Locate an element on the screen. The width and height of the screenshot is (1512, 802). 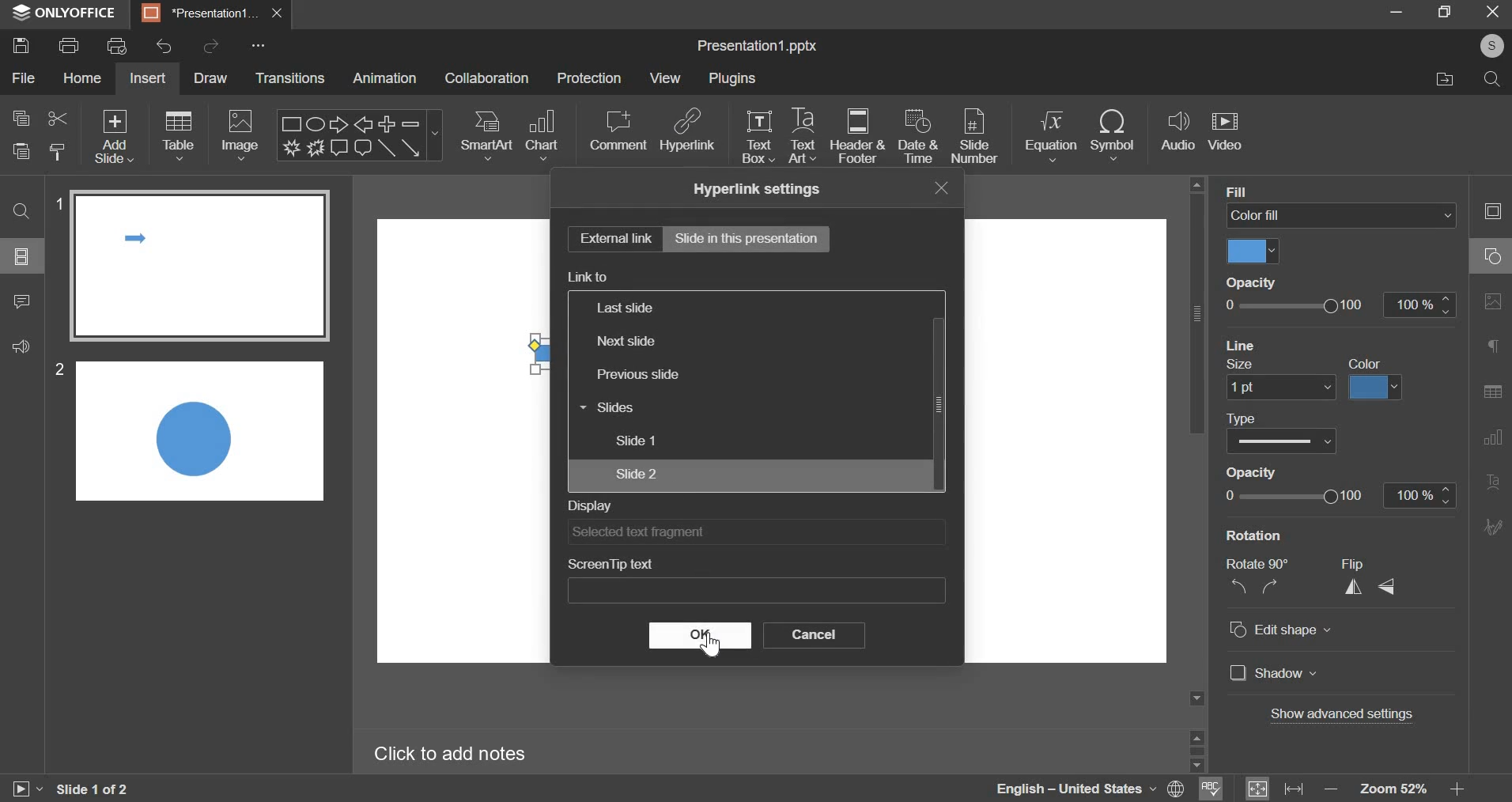
protection is located at coordinates (589, 79).